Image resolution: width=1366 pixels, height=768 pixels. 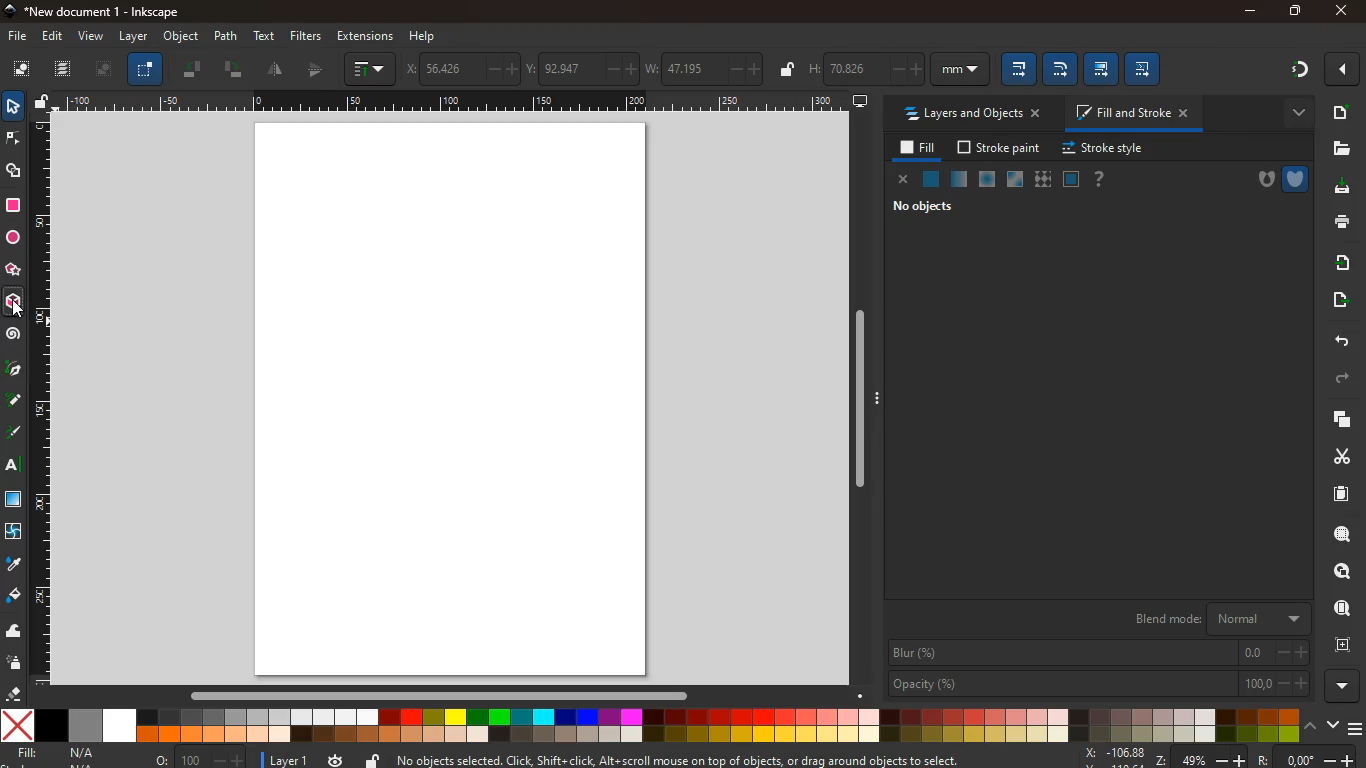 What do you see at coordinates (1338, 187) in the screenshot?
I see `dowload` at bounding box center [1338, 187].